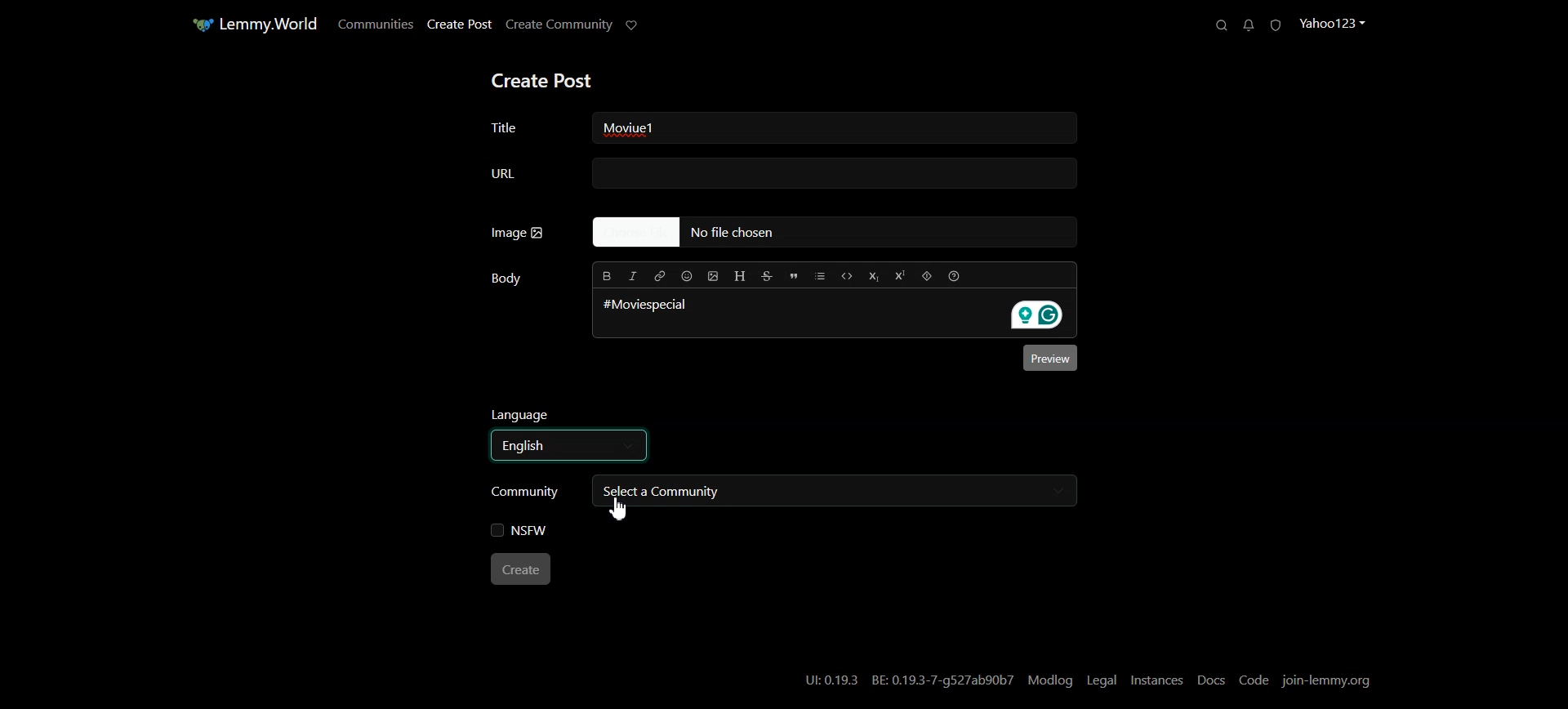 This screenshot has width=1568, height=709. Describe the element at coordinates (954, 275) in the screenshot. I see `Formatting help` at that location.